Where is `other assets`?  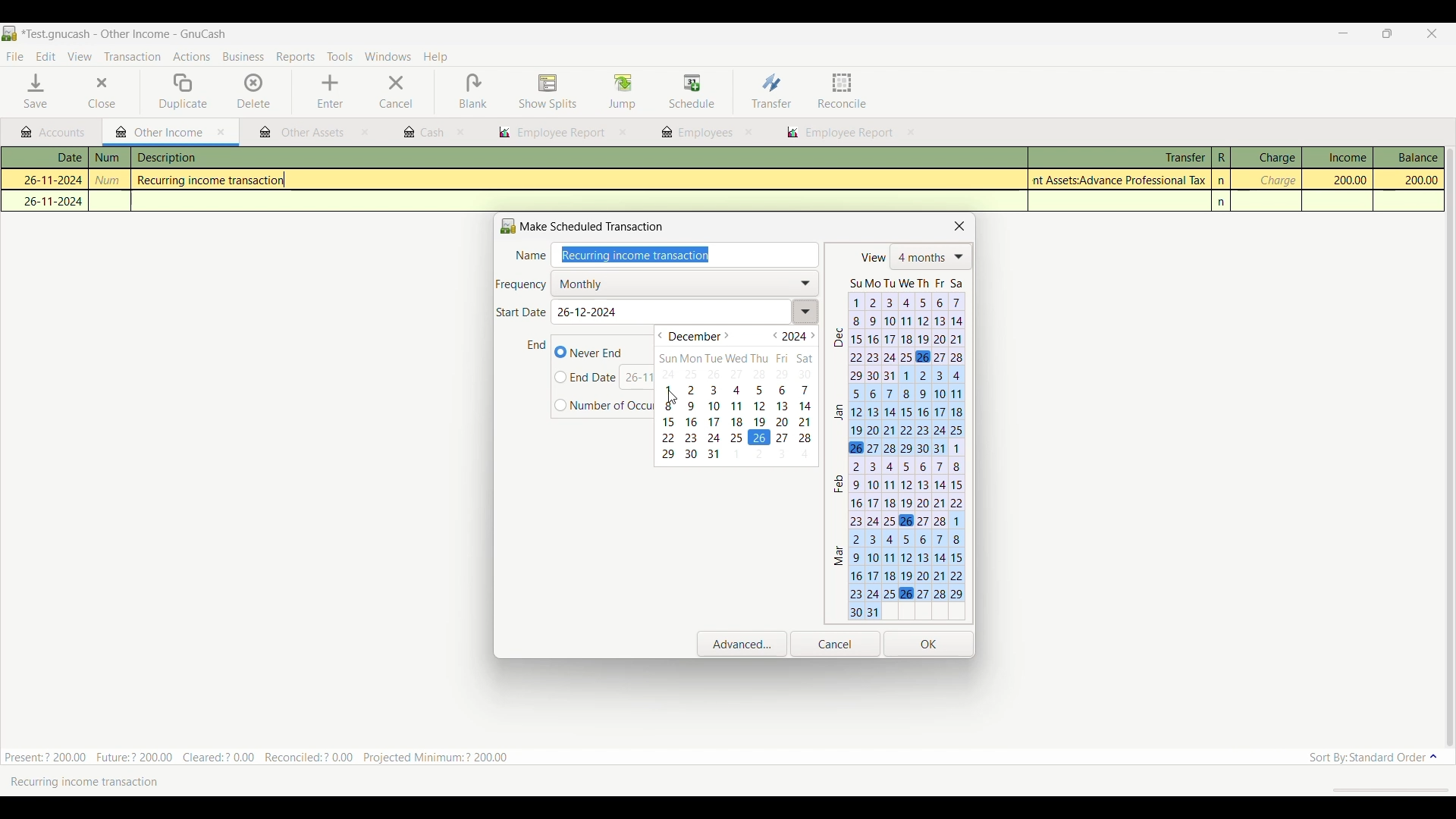
other assets is located at coordinates (303, 133).